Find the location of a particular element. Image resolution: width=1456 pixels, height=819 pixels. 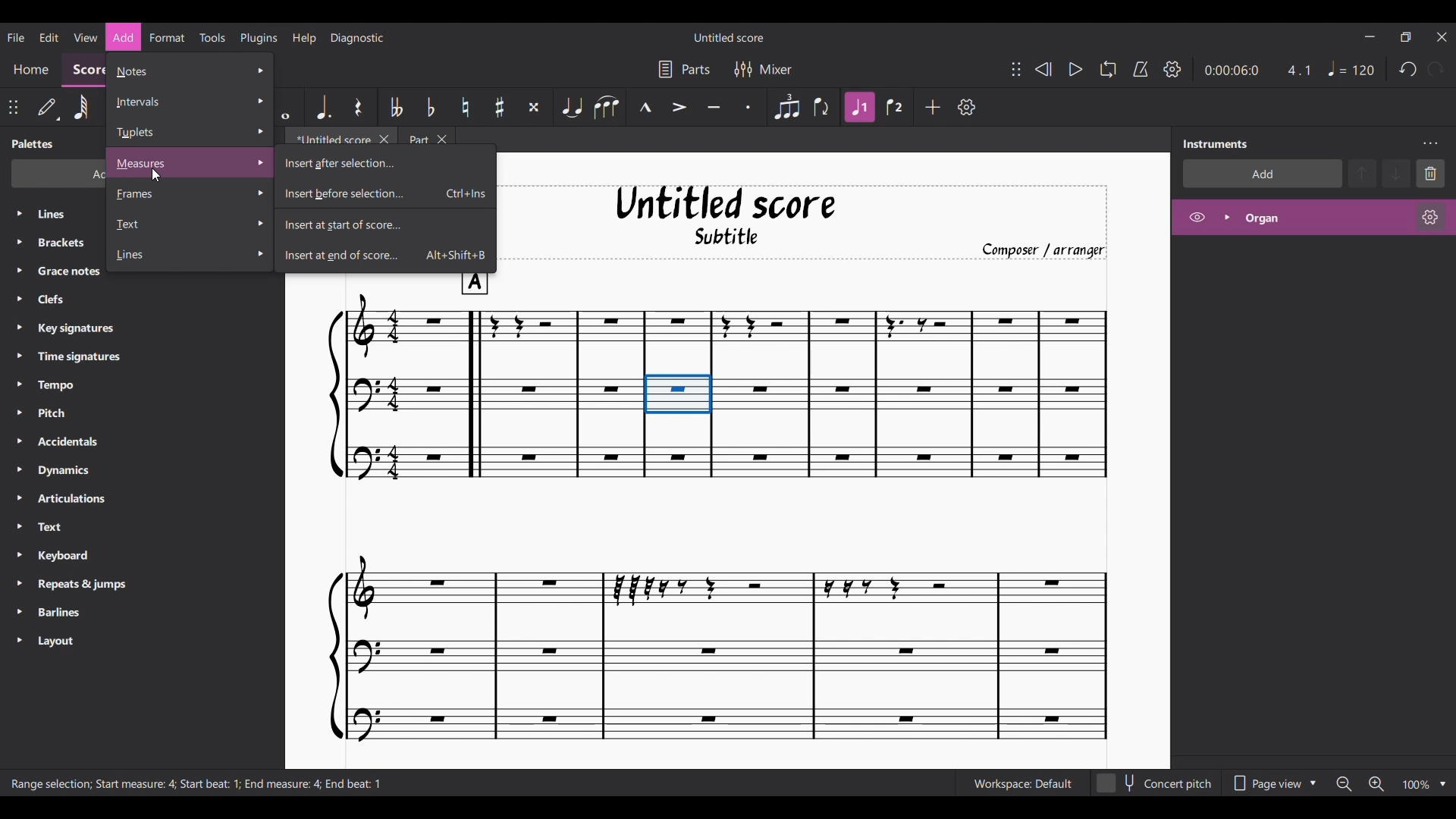

Title, sub-title, and composer name is located at coordinates (812, 219).